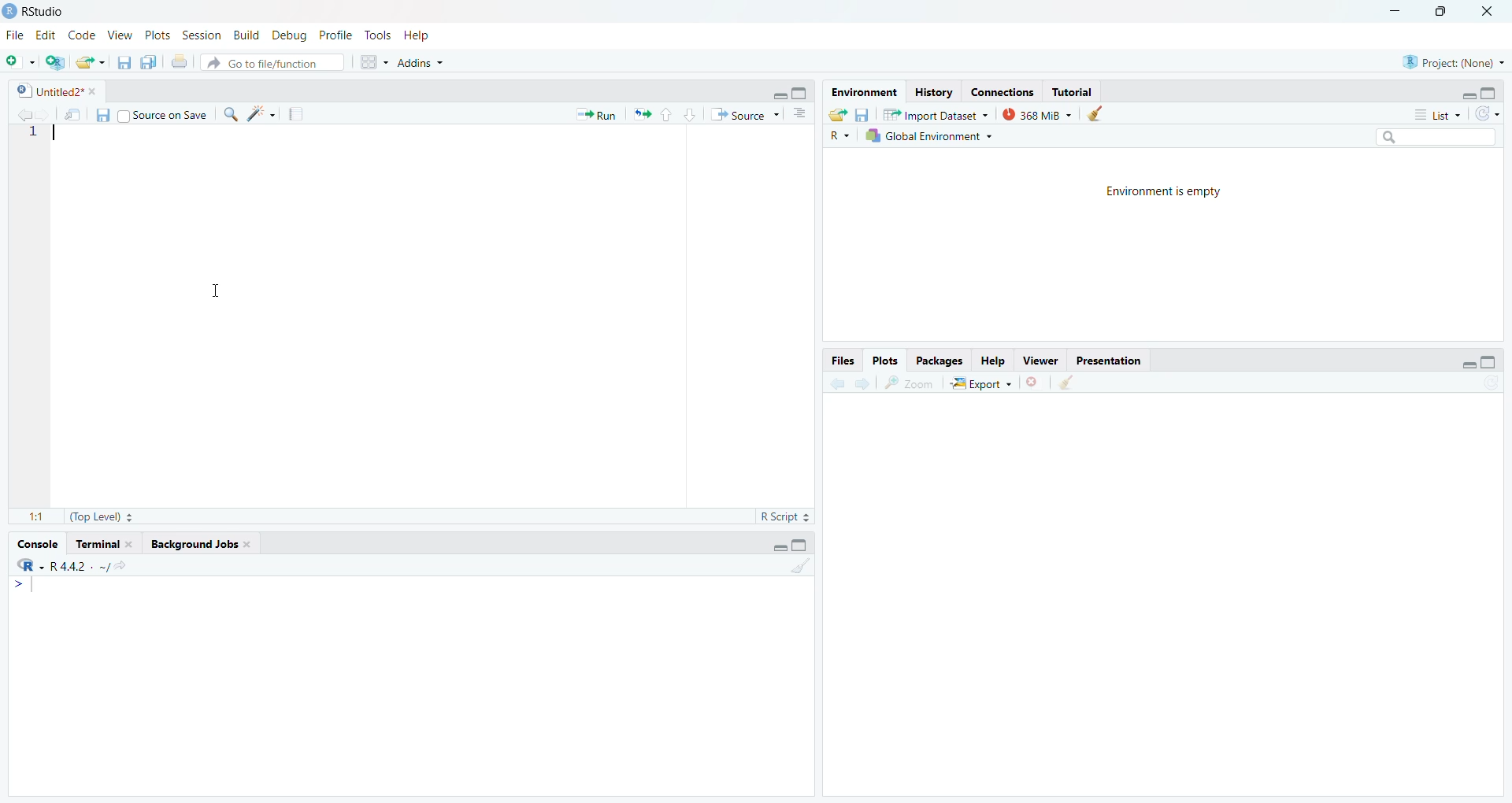 Image resolution: width=1512 pixels, height=803 pixels. I want to click on | Untitled2* *, so click(51, 90).